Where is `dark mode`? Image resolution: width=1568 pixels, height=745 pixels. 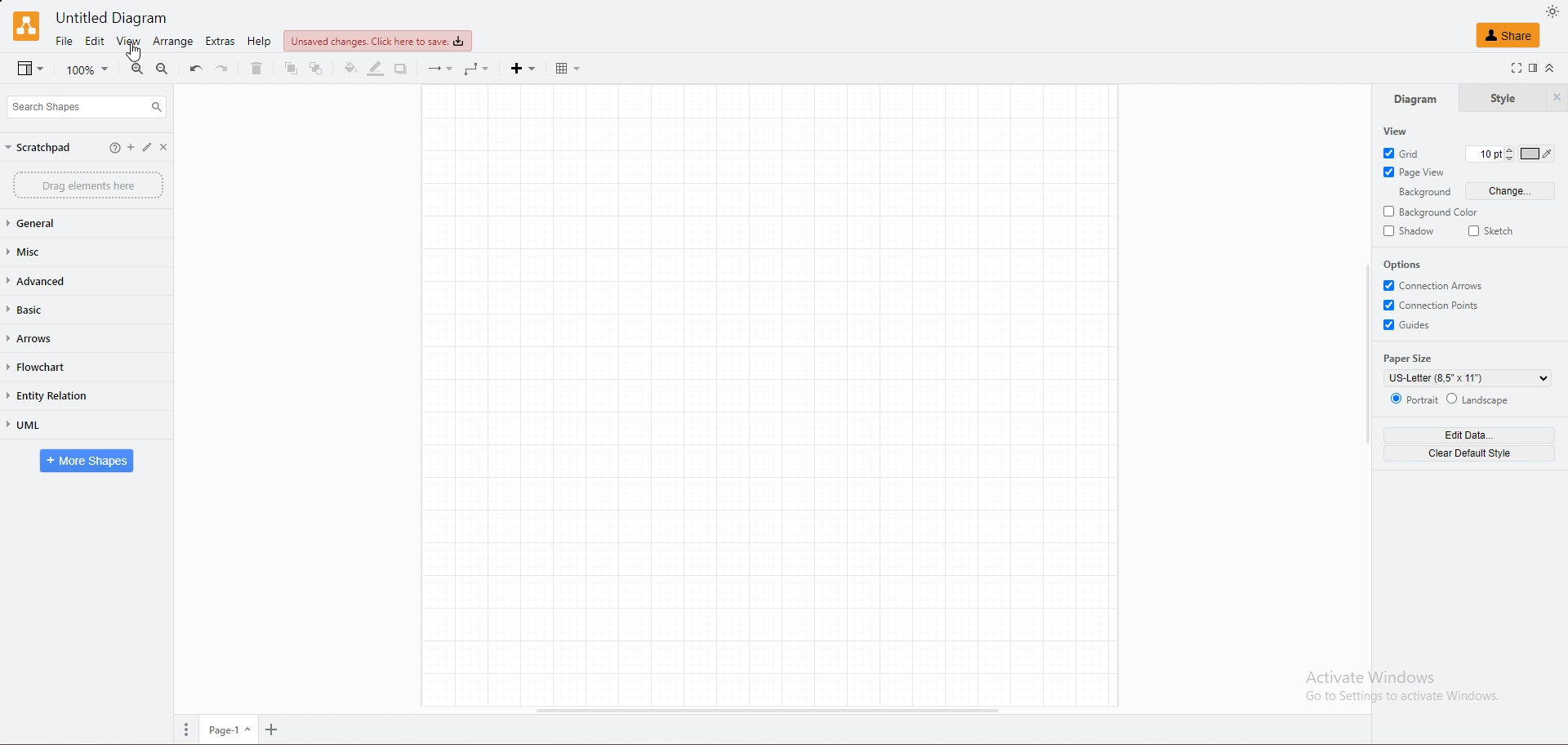
dark mode is located at coordinates (1553, 12).